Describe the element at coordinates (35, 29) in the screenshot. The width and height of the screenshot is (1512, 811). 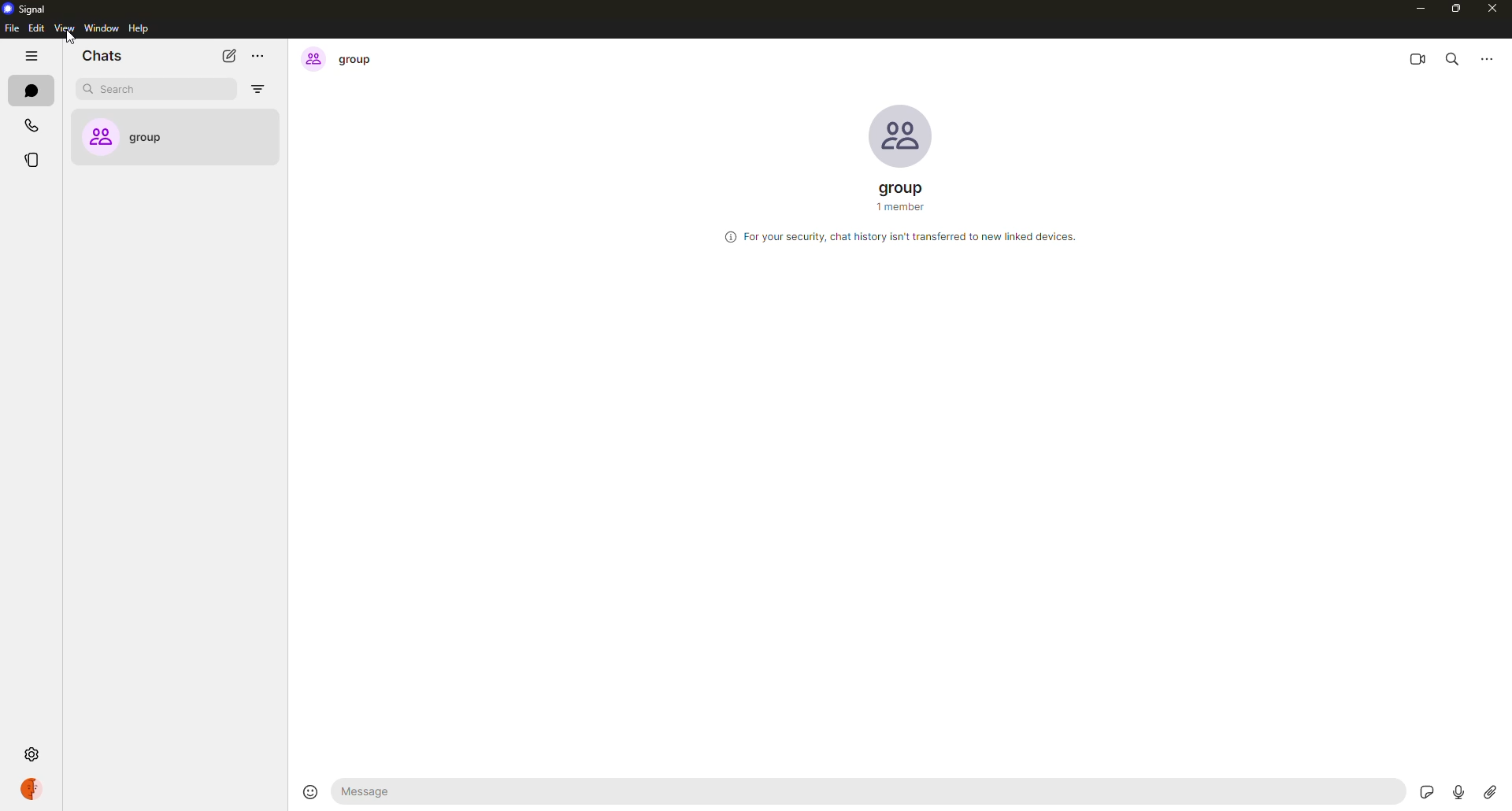
I see `edit` at that location.